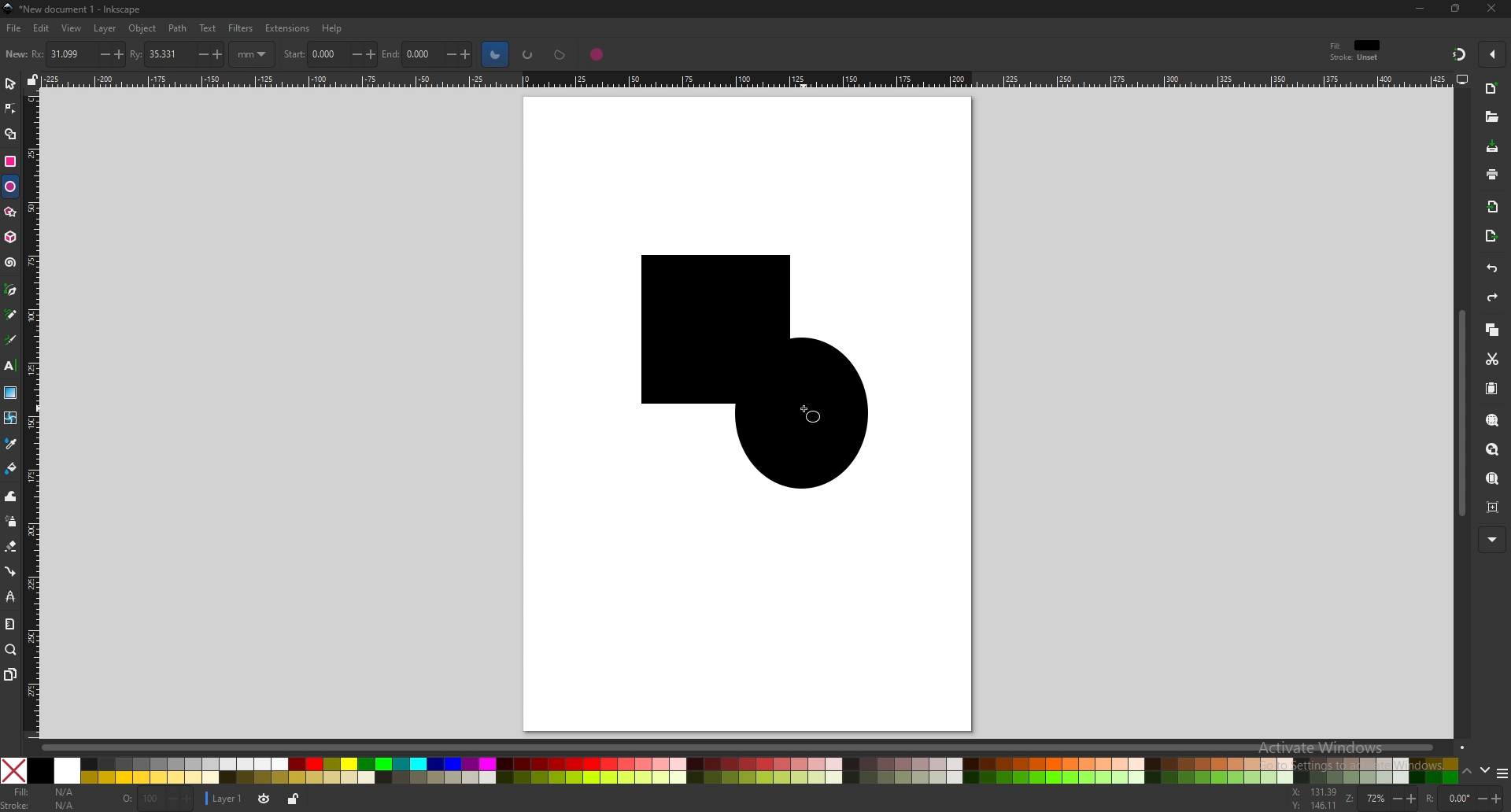  What do you see at coordinates (71, 9) in the screenshot?
I see `title` at bounding box center [71, 9].